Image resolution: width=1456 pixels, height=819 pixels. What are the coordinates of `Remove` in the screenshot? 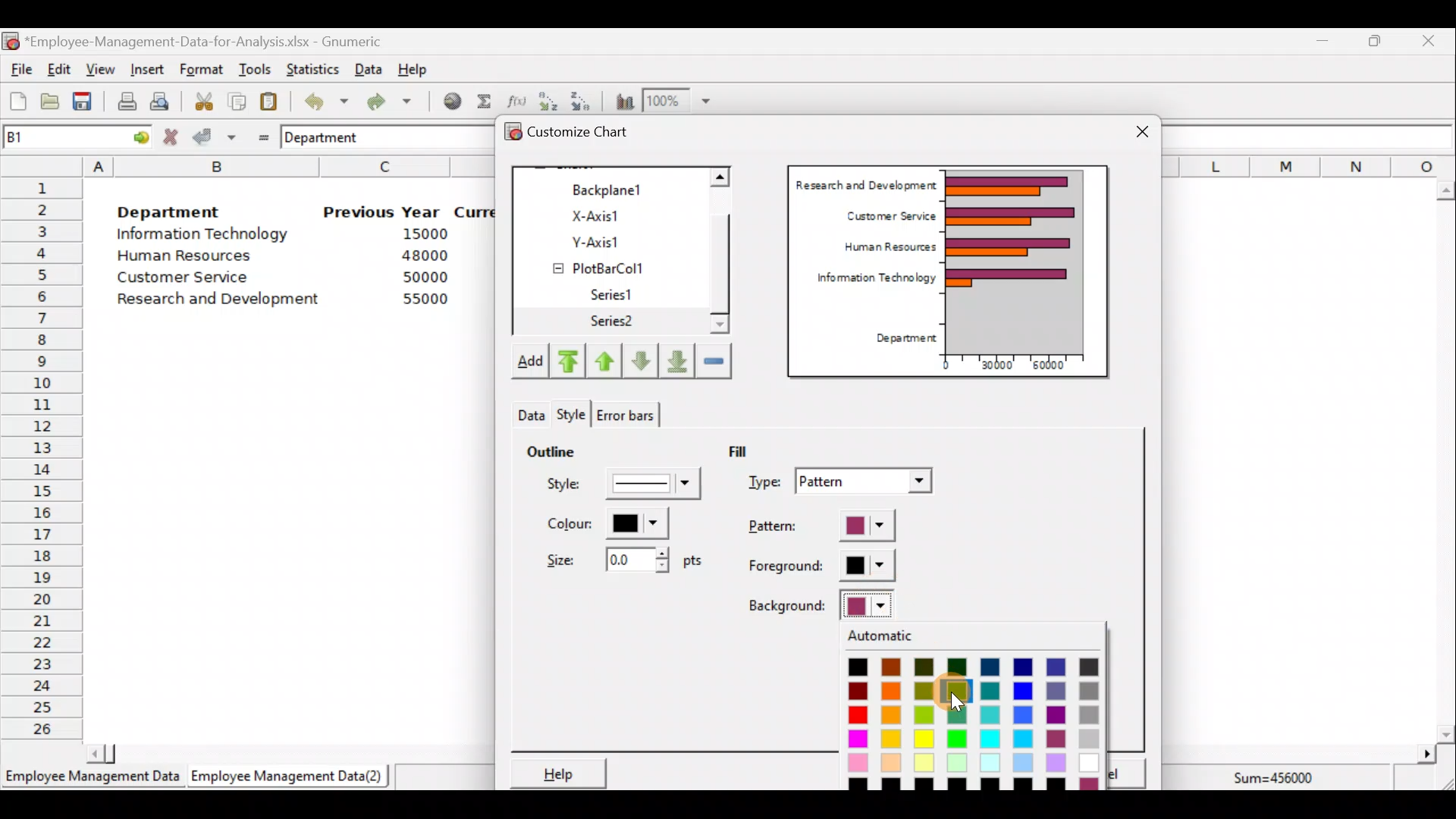 It's located at (714, 359).